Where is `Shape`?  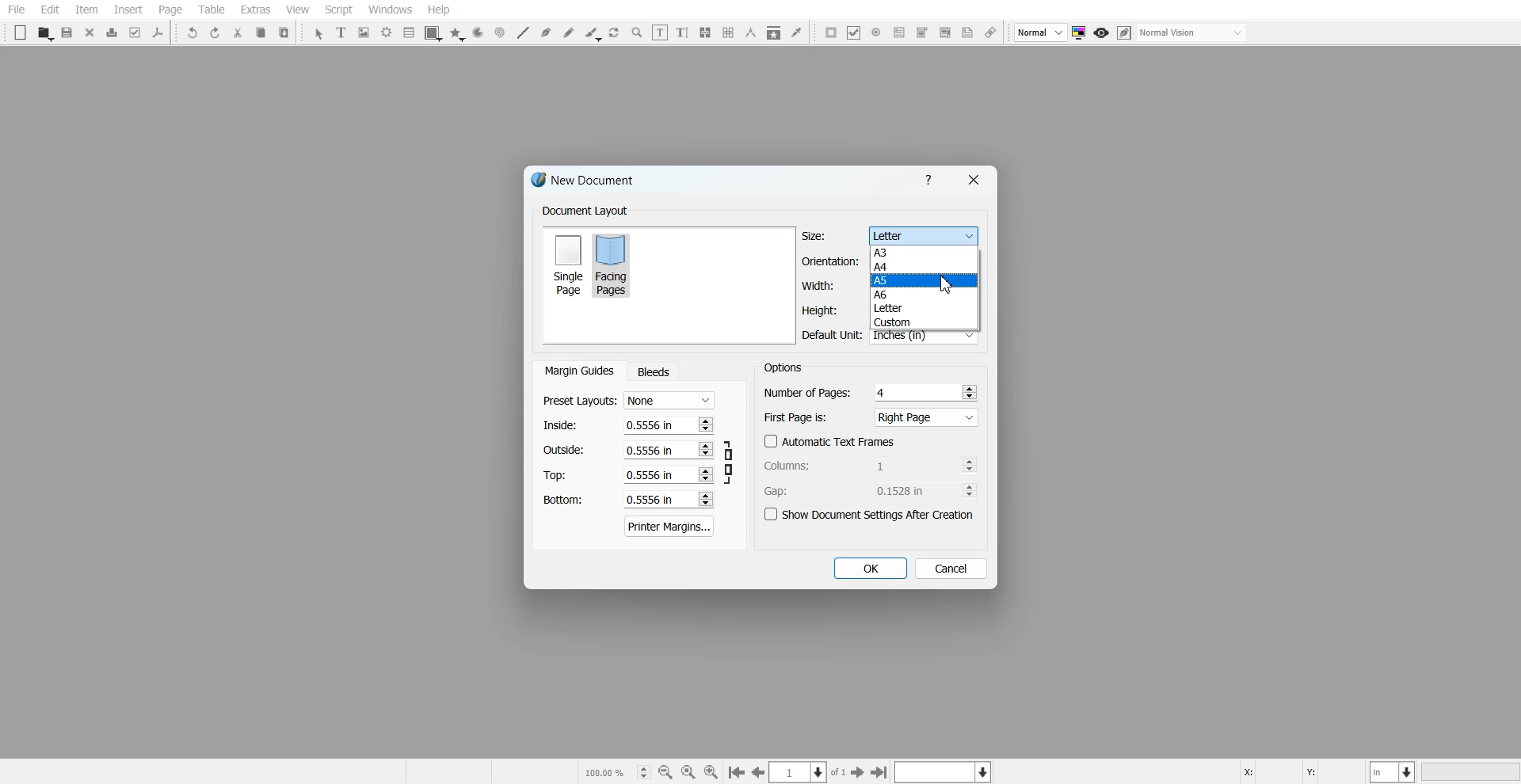
Shape is located at coordinates (433, 33).